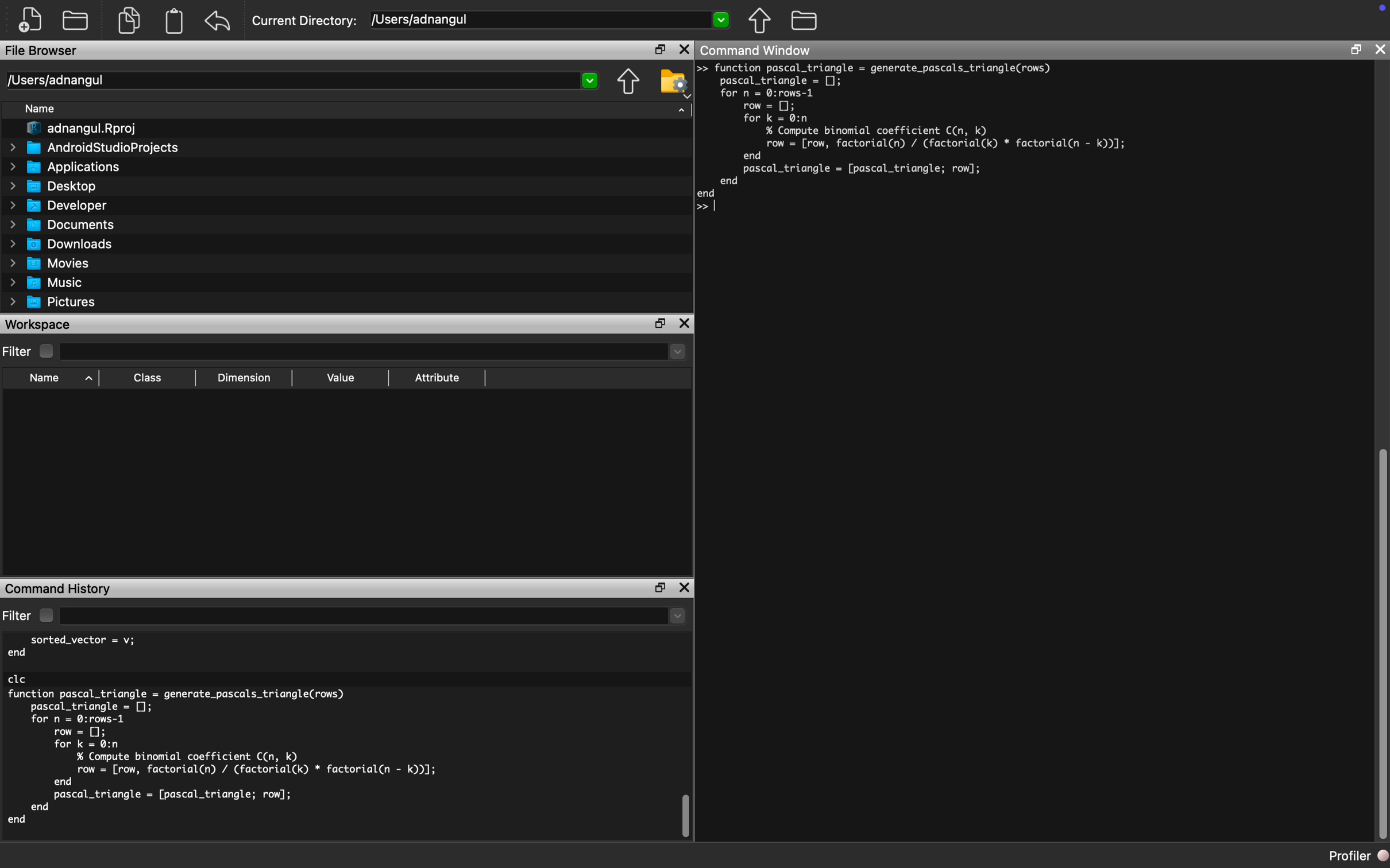 The height and width of the screenshot is (868, 1390). I want to click on sorted_vector = V, end clc, so click(87, 658).